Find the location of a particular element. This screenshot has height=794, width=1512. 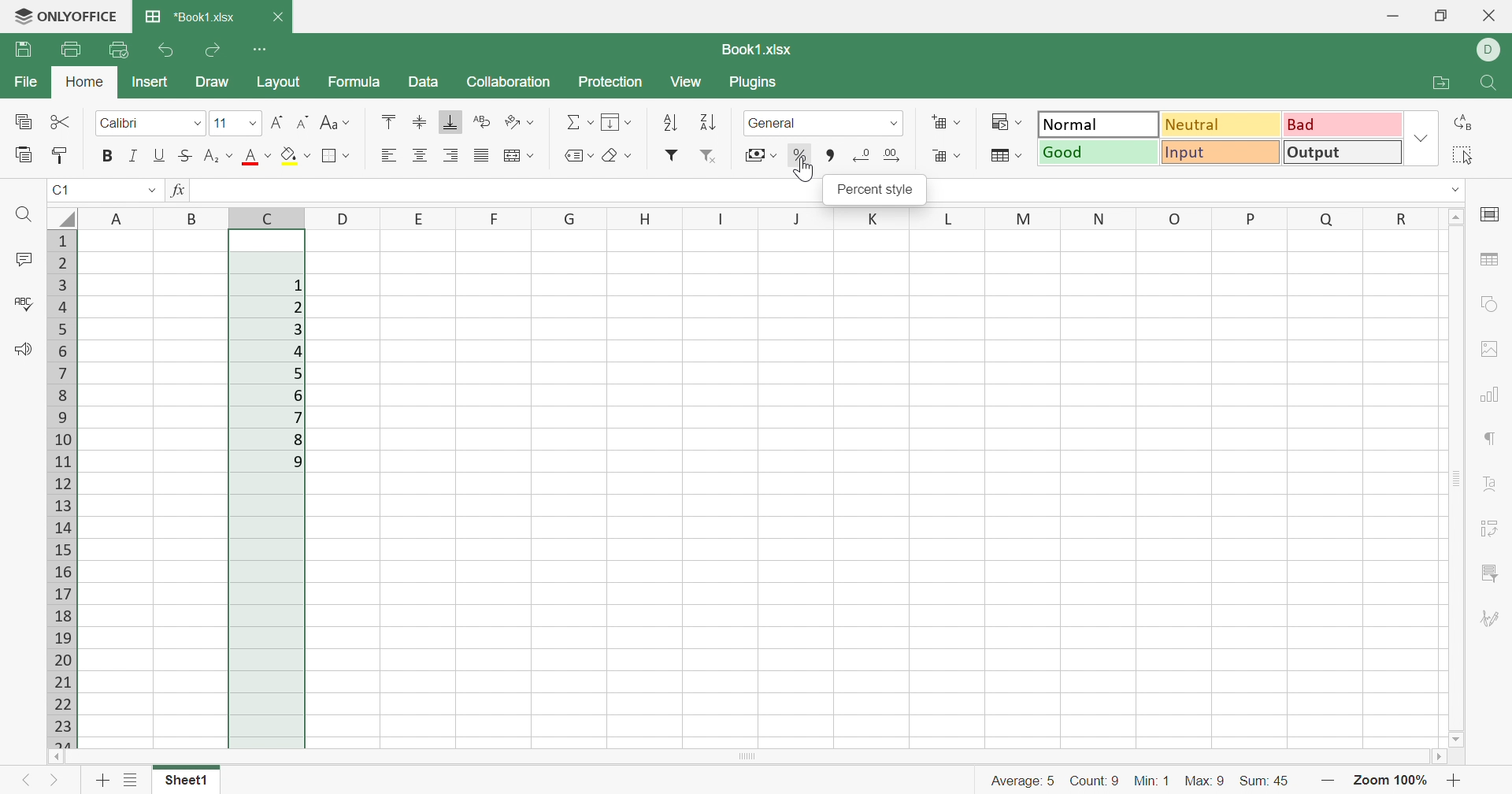

N is located at coordinates (1102, 217).